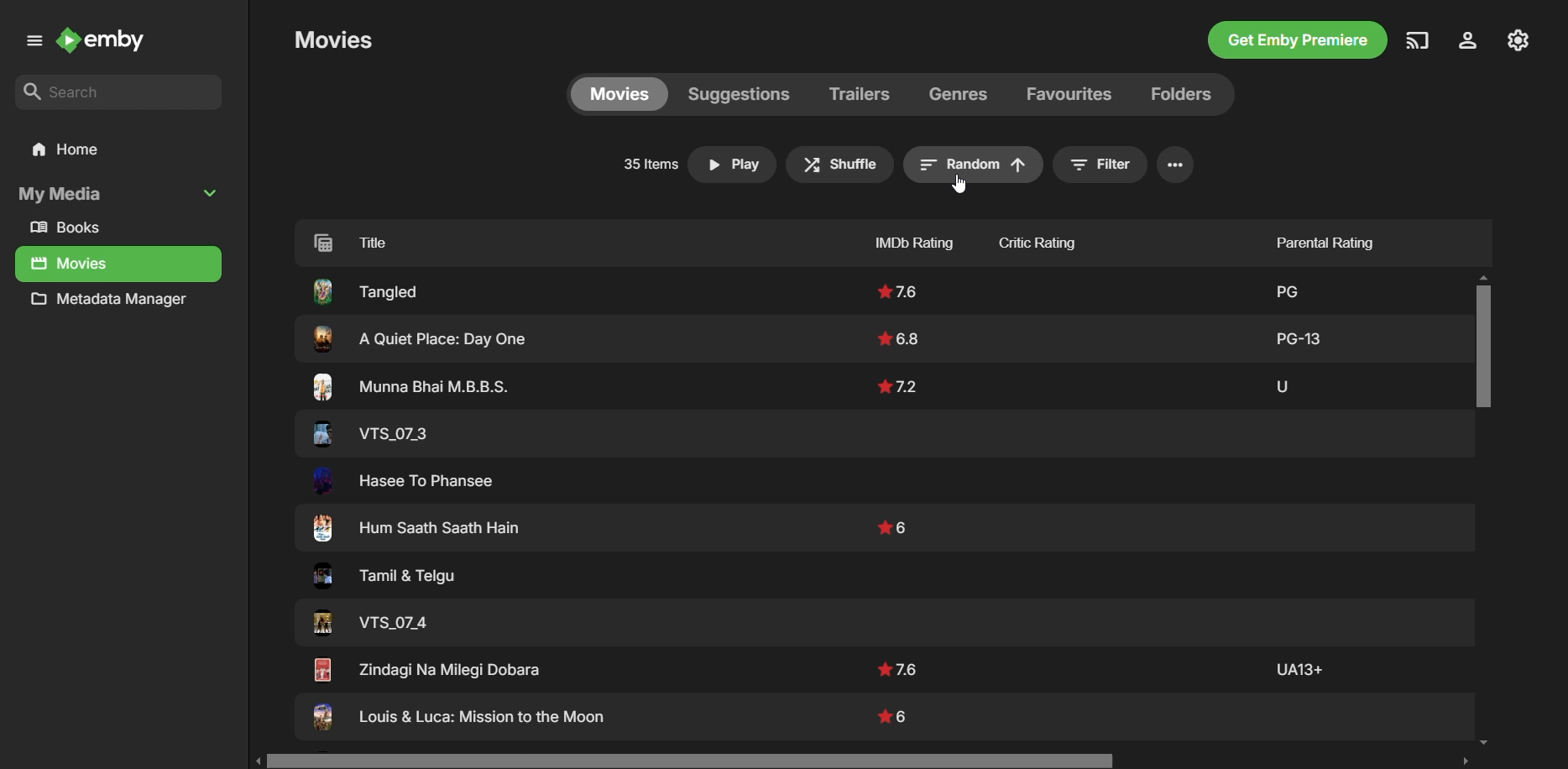  Describe the element at coordinates (426, 669) in the screenshot. I see `` at that location.